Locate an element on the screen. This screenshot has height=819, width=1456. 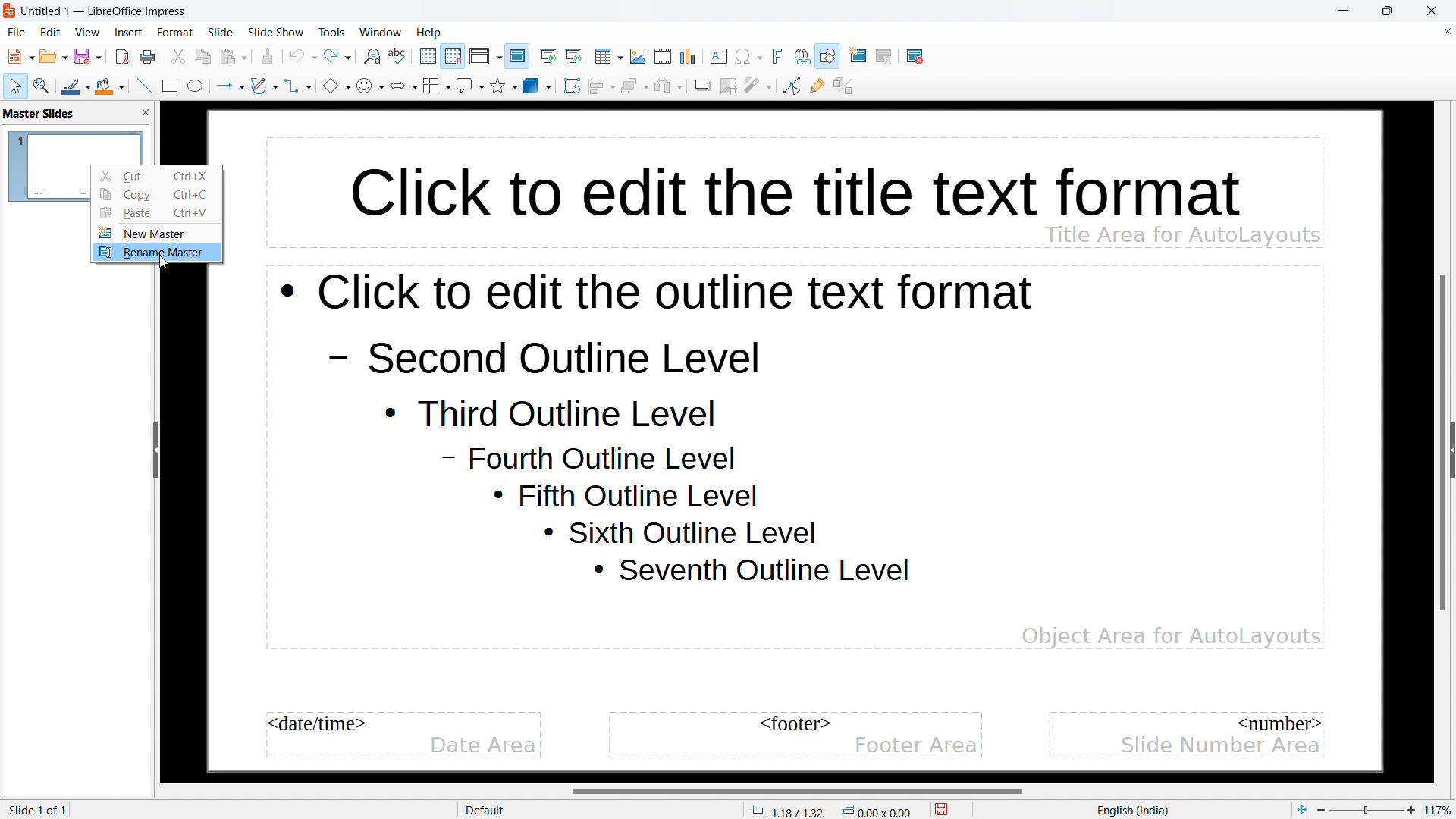
minimize is located at coordinates (1344, 11).